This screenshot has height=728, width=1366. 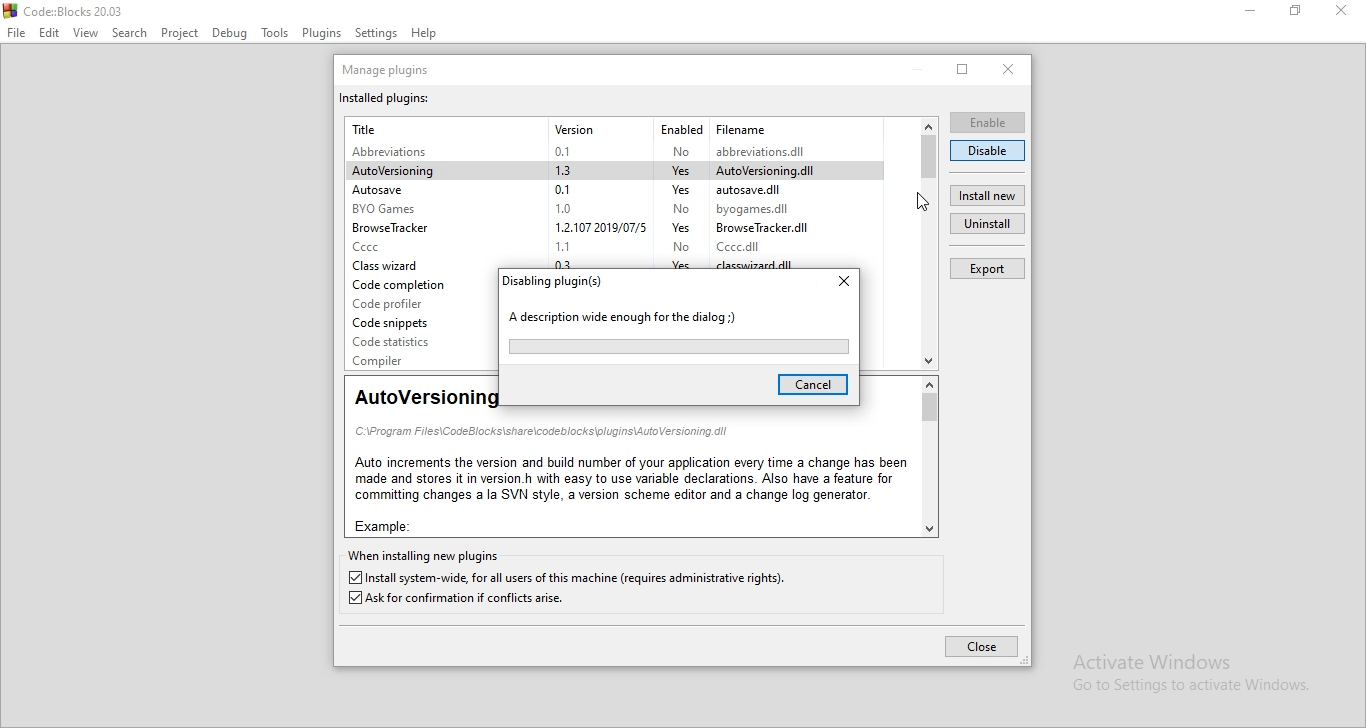 What do you see at coordinates (564, 207) in the screenshot?
I see `1.0` at bounding box center [564, 207].